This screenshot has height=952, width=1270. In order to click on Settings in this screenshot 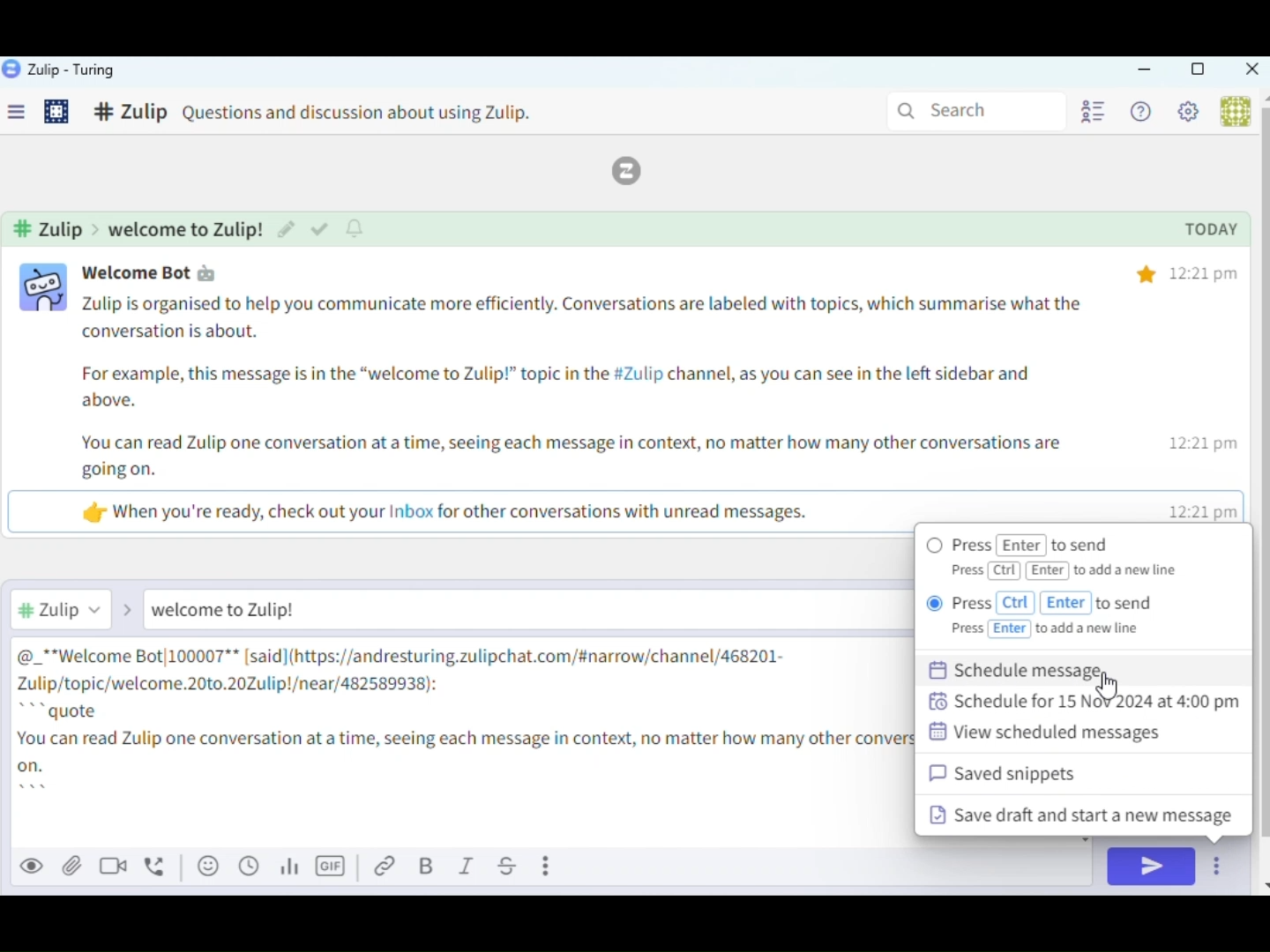, I will do `click(1192, 115)`.